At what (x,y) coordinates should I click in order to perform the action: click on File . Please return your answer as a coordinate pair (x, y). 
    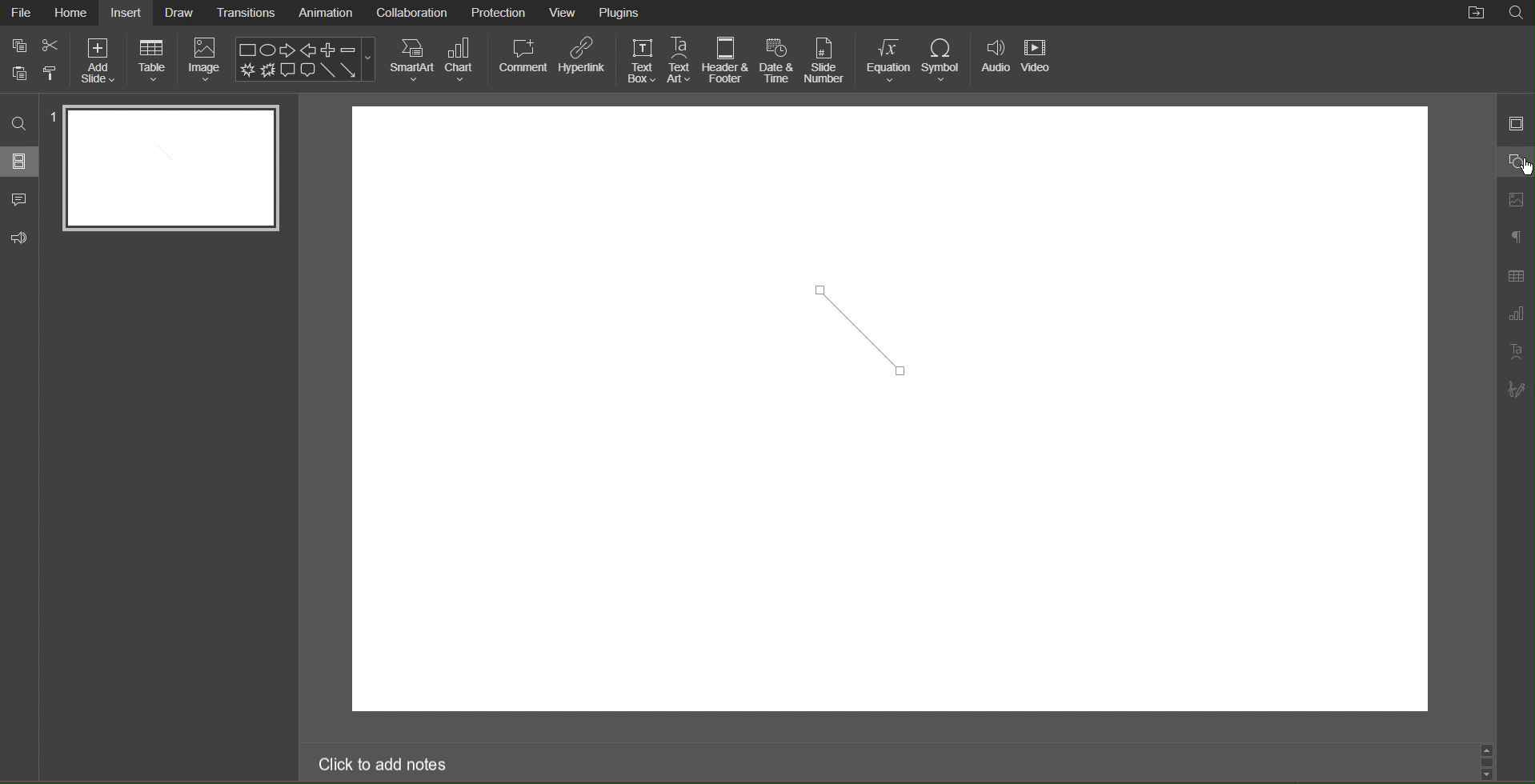
    Looking at the image, I should click on (22, 14).